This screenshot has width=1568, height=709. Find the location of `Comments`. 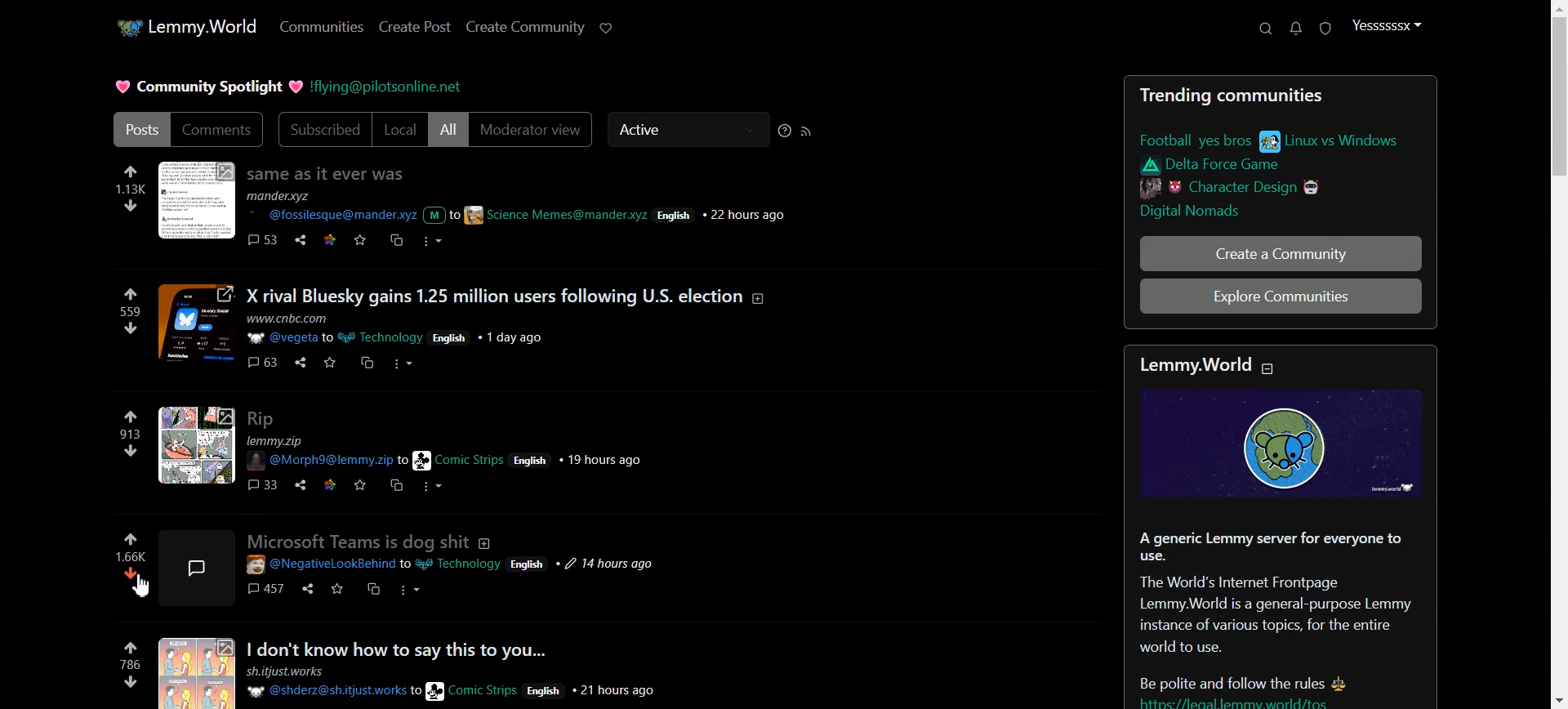

Comments is located at coordinates (219, 129).